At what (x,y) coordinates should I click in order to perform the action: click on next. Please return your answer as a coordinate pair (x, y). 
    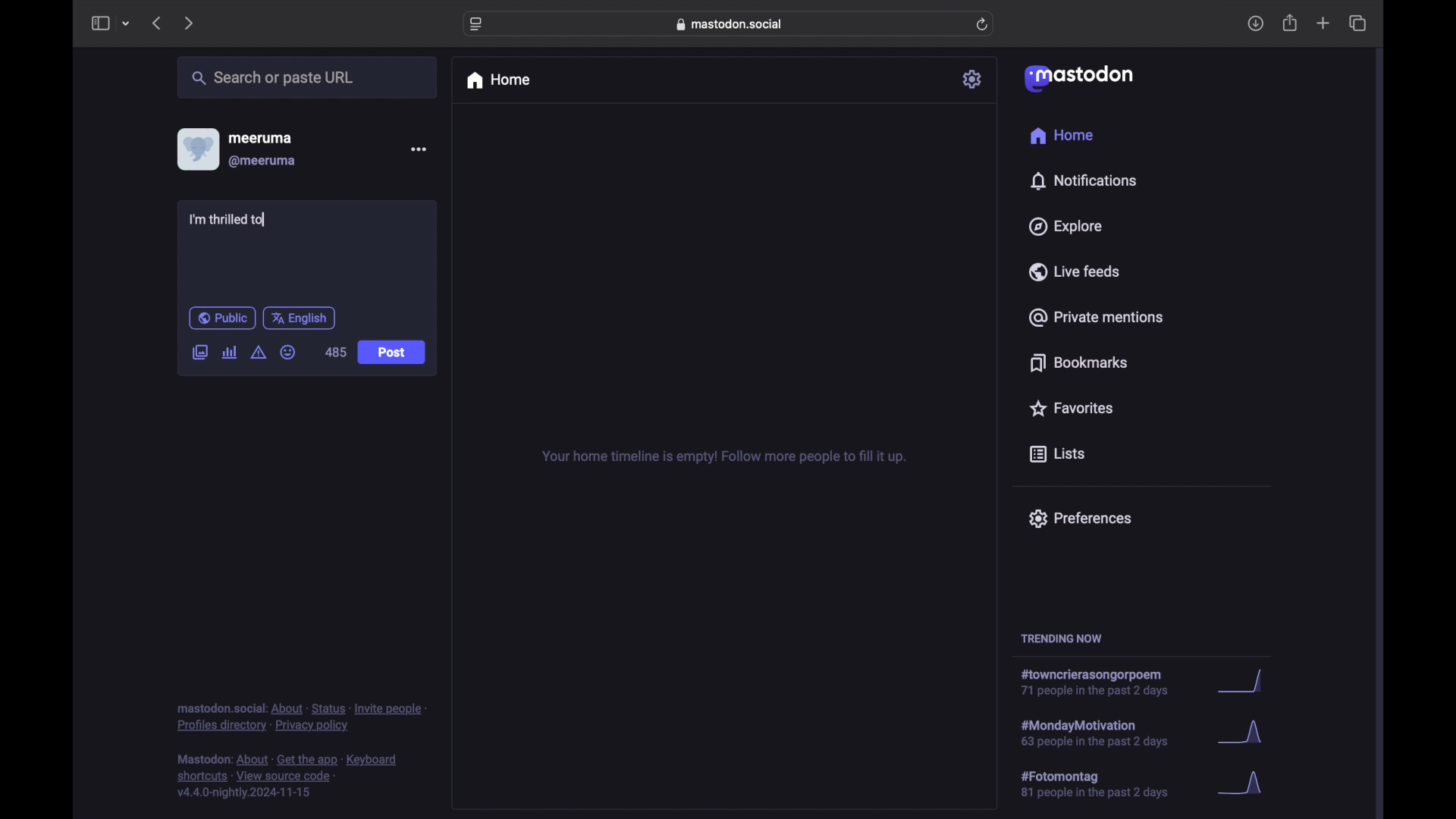
    Looking at the image, I should click on (188, 24).